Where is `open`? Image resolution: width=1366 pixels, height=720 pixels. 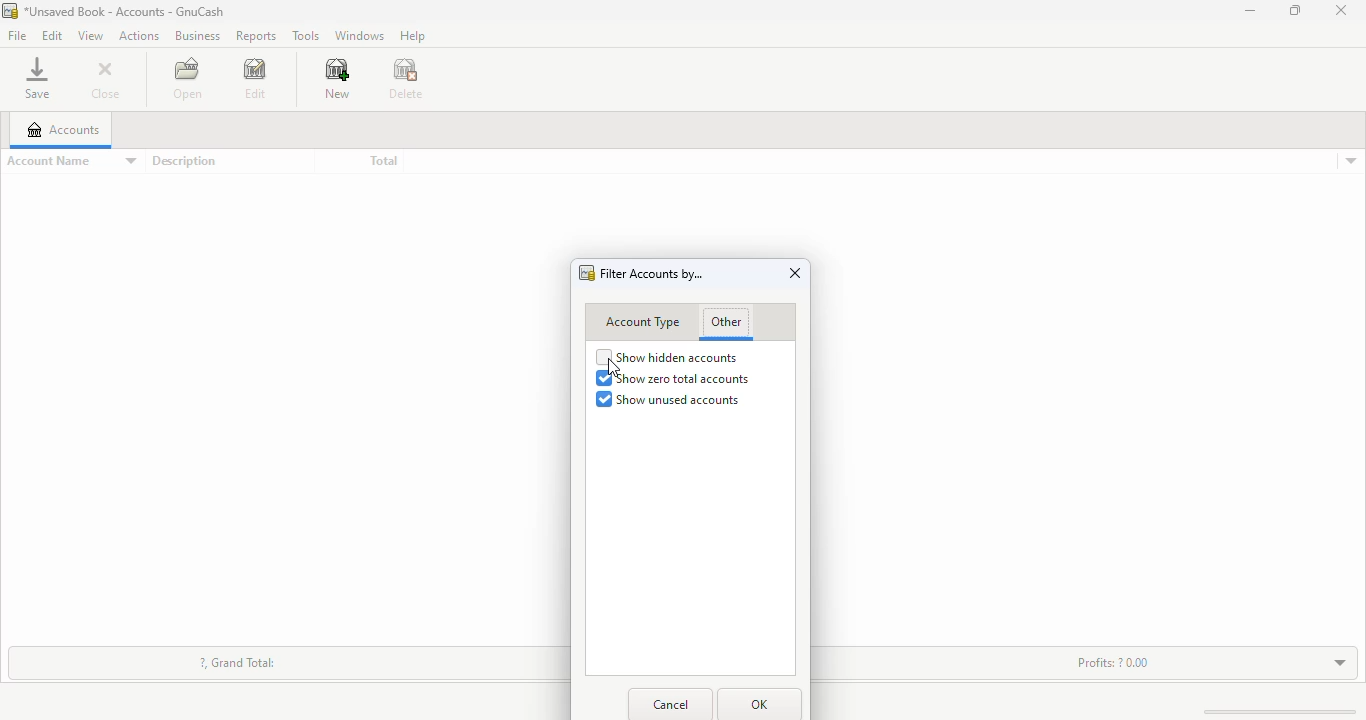 open is located at coordinates (187, 78).